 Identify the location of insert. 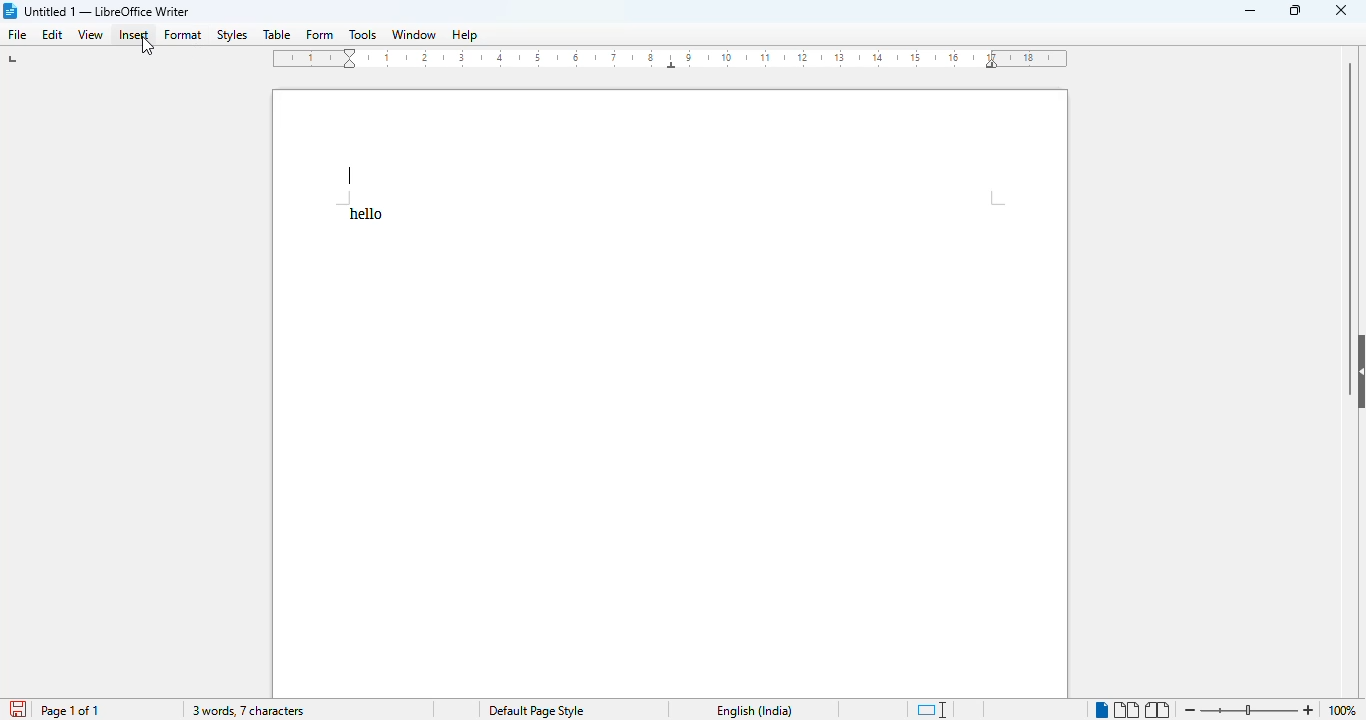
(134, 35).